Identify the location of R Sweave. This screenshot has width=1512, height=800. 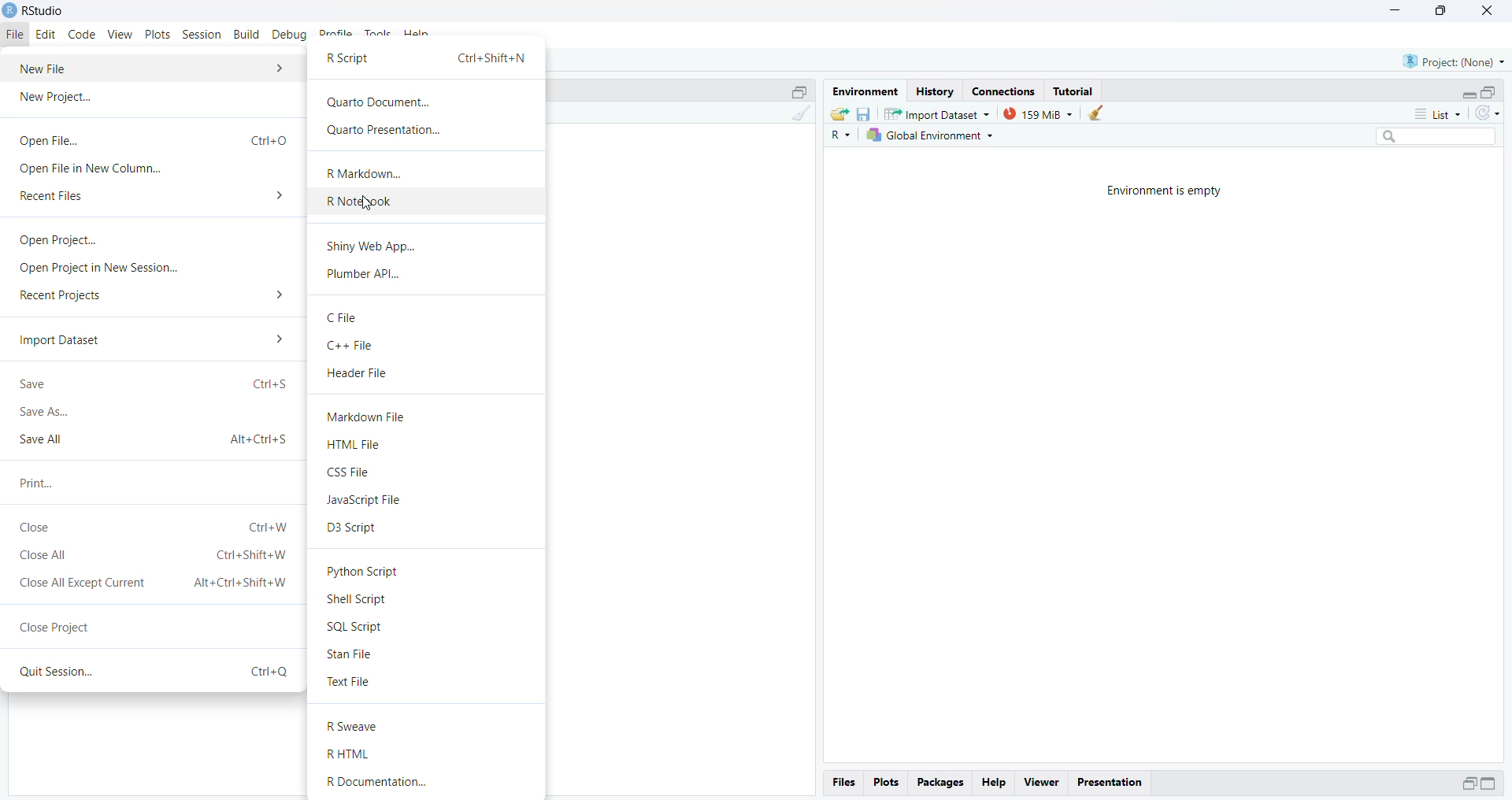
(358, 727).